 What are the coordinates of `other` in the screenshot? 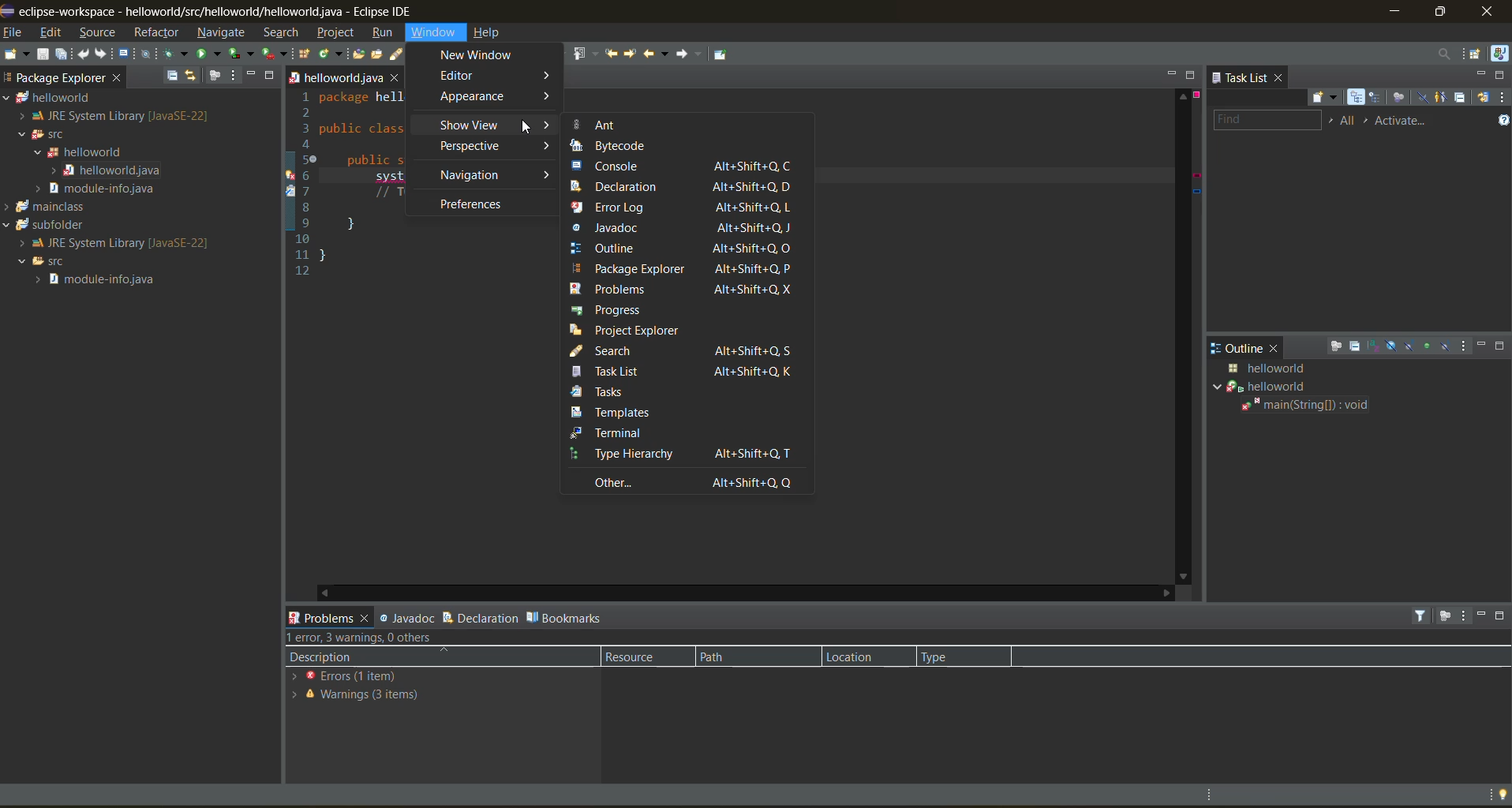 It's located at (691, 481).